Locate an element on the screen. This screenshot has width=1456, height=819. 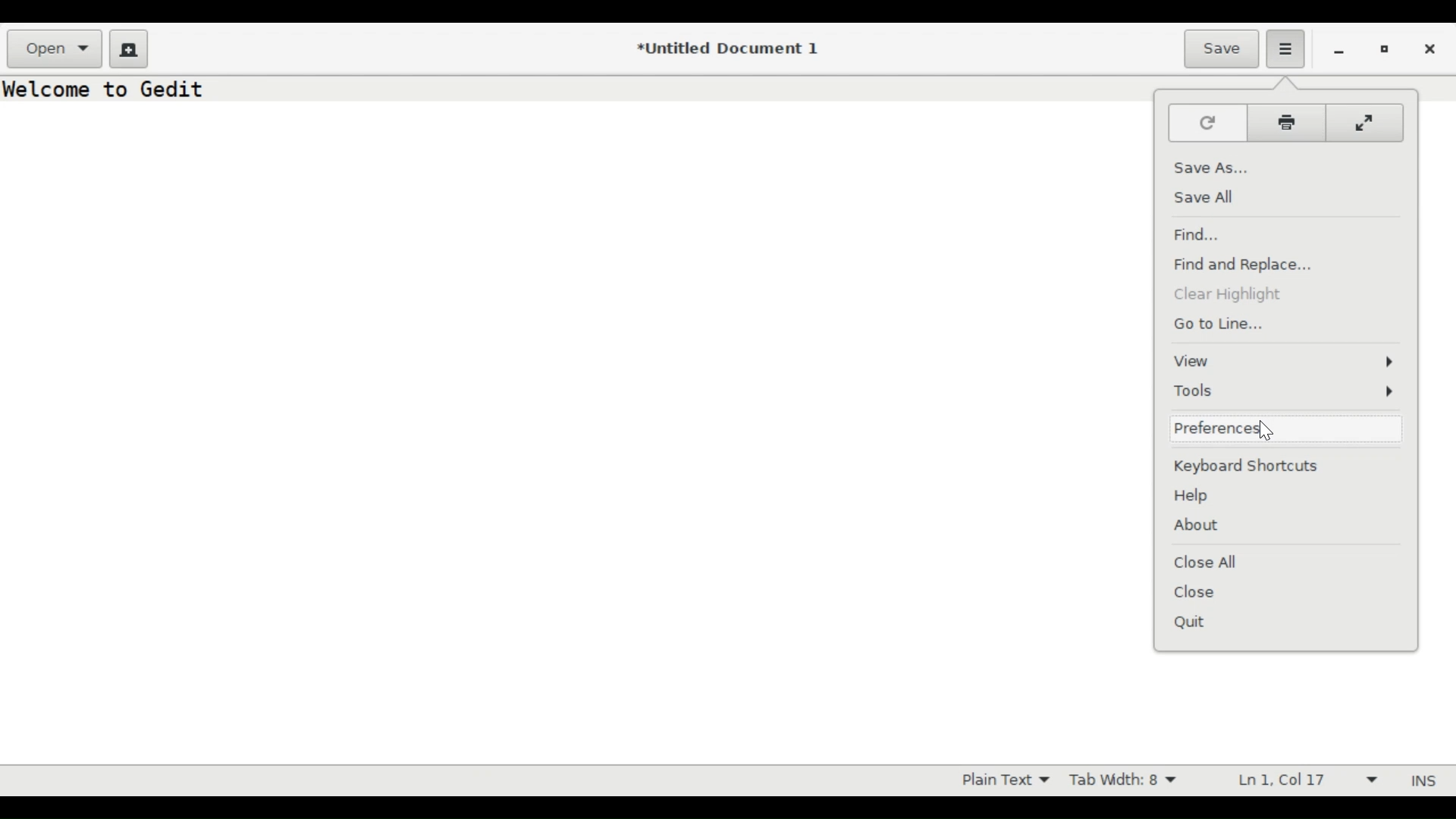
Keyboard Shortcuts is located at coordinates (1243, 466).